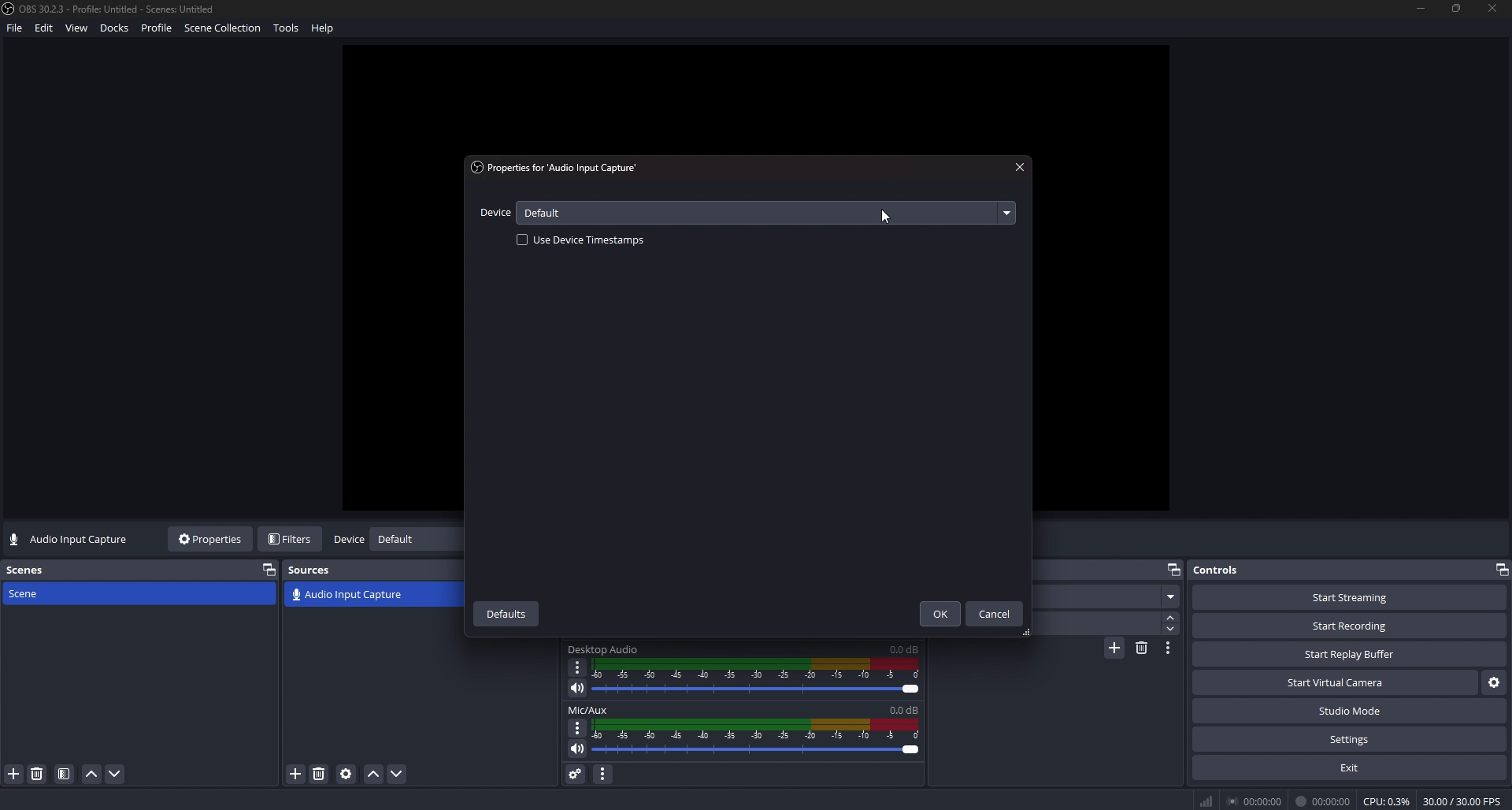 This screenshot has width=1512, height=810. Describe the element at coordinates (1350, 597) in the screenshot. I see `start streaming` at that location.